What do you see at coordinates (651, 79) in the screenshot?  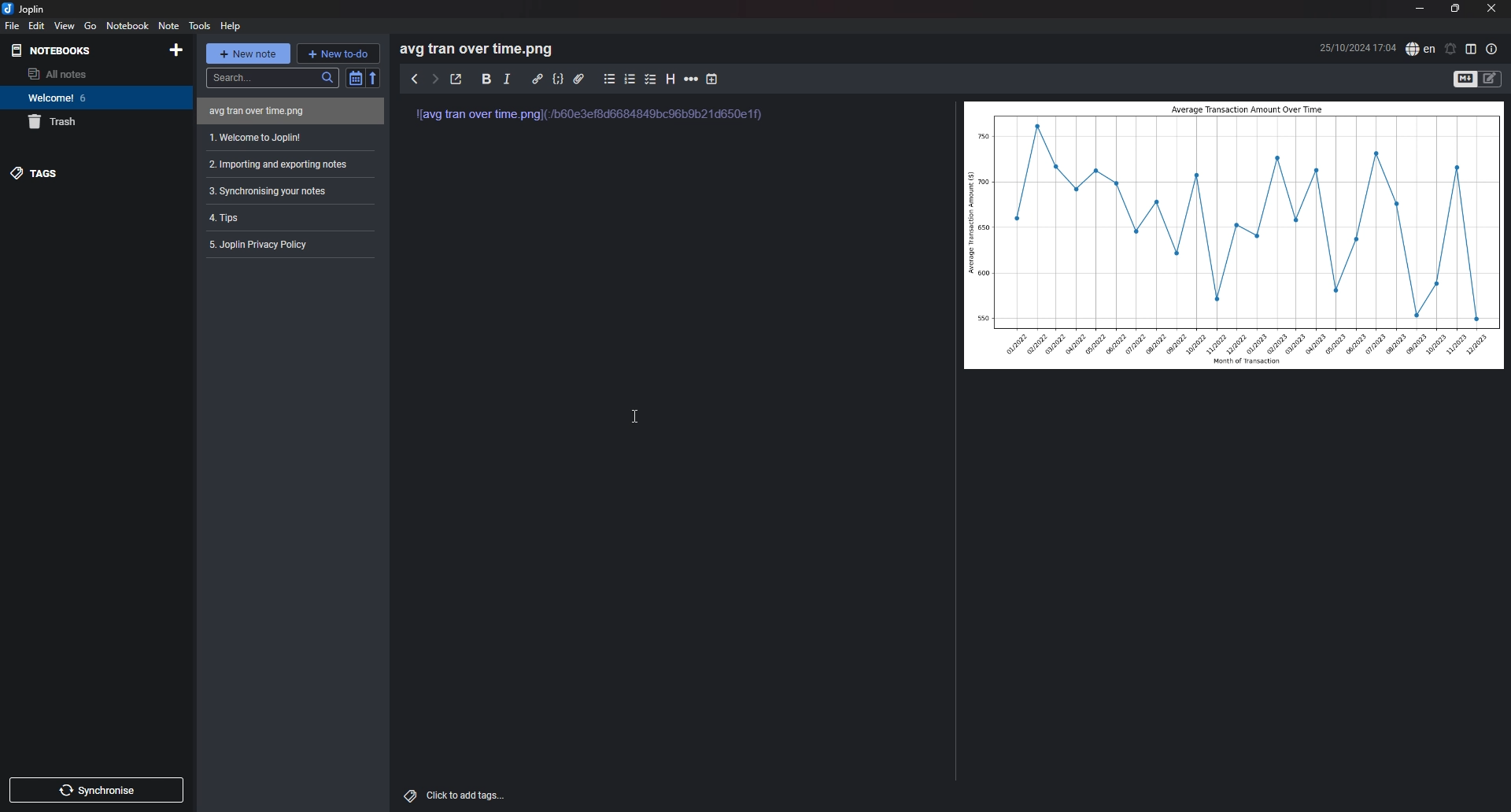 I see `checkbox` at bounding box center [651, 79].